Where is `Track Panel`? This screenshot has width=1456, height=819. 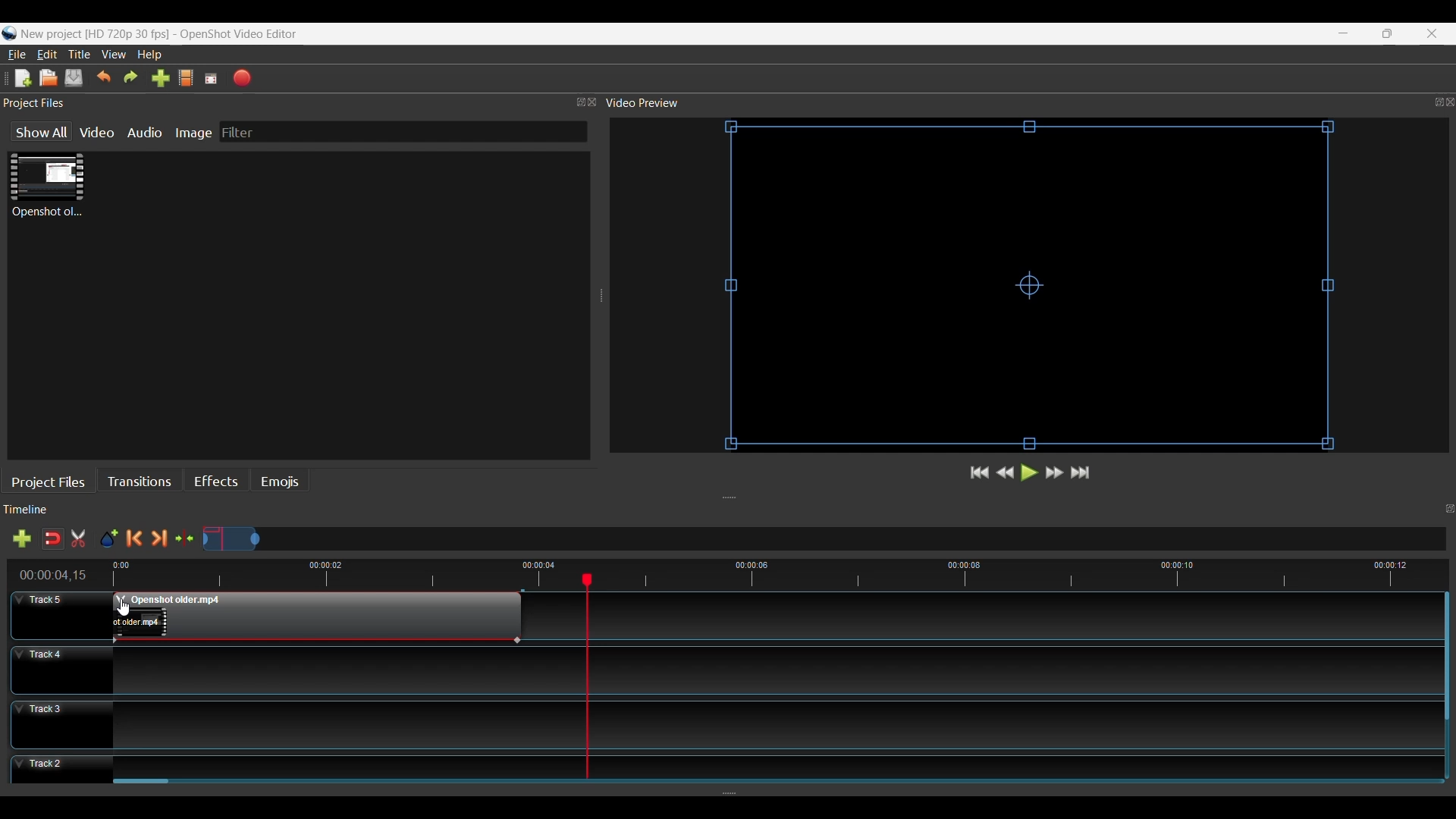
Track Panel is located at coordinates (770, 669).